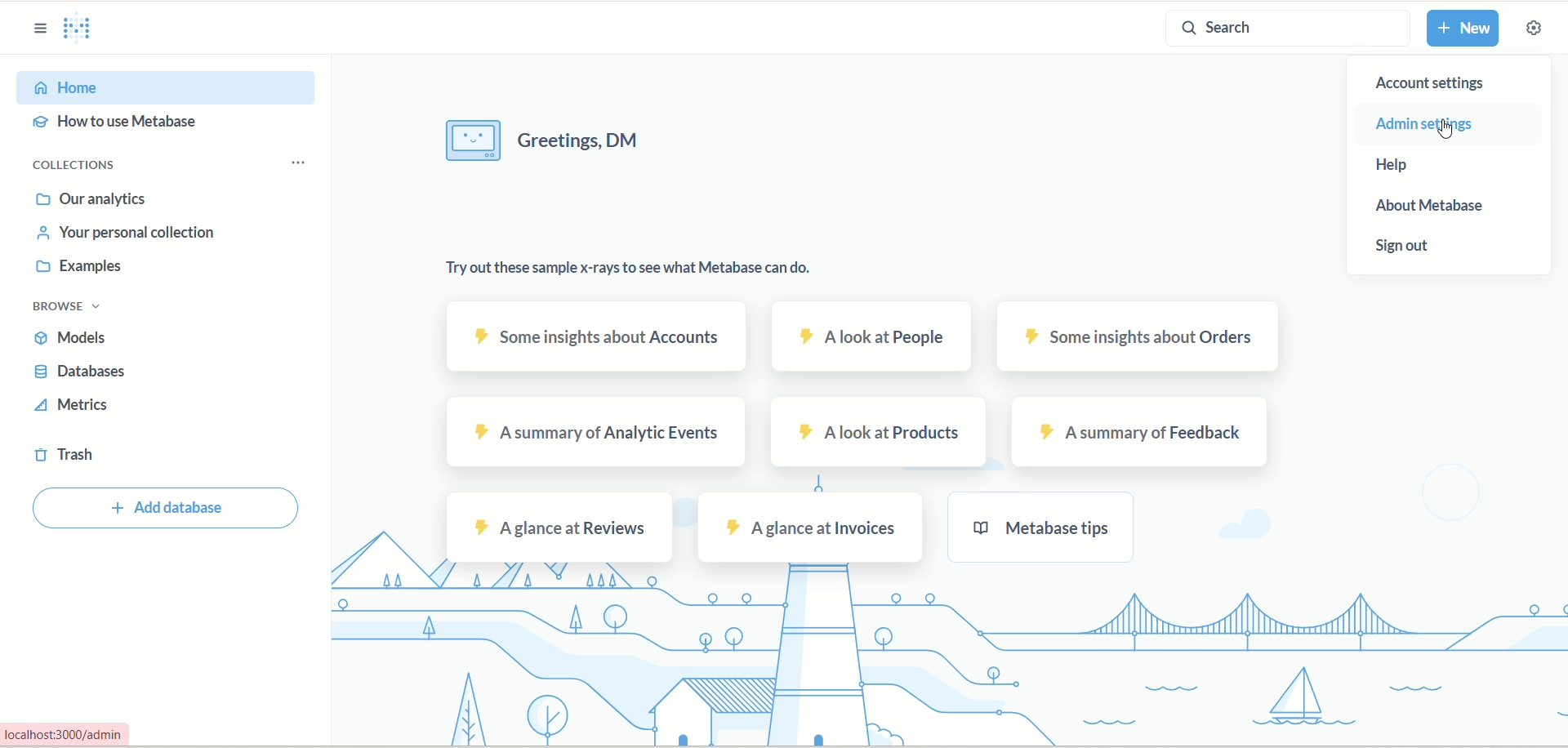  Describe the element at coordinates (129, 236) in the screenshot. I see `your personal collection` at that location.